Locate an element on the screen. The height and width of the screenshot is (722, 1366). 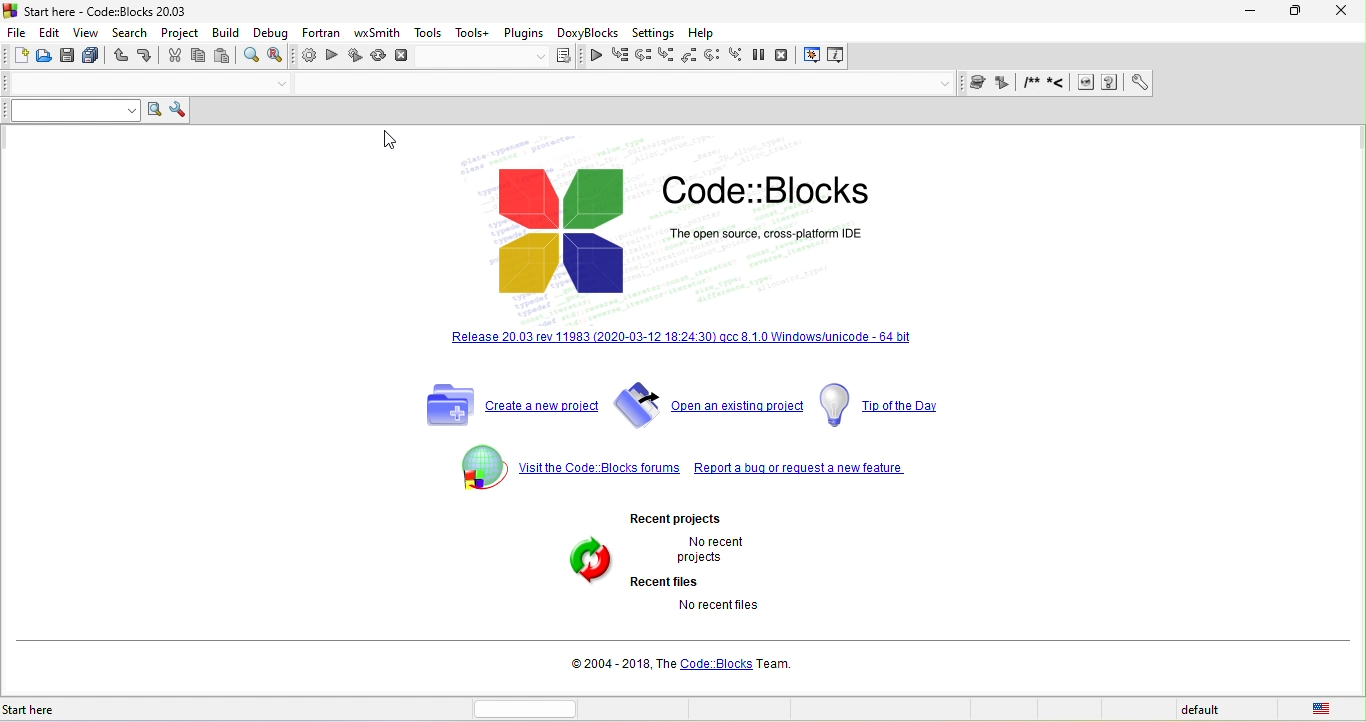
jump back is located at coordinates (978, 84).